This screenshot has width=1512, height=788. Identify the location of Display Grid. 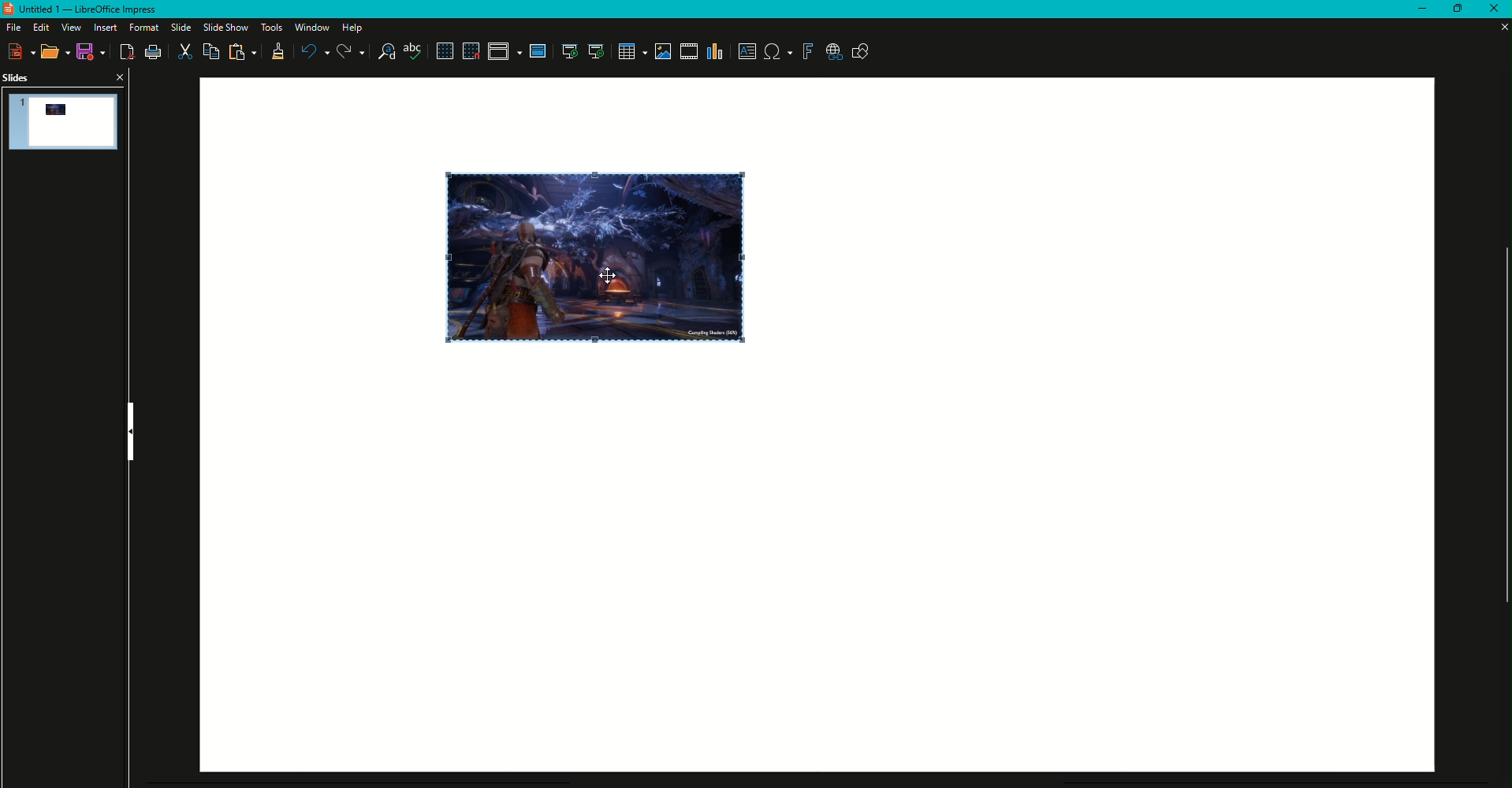
(443, 52).